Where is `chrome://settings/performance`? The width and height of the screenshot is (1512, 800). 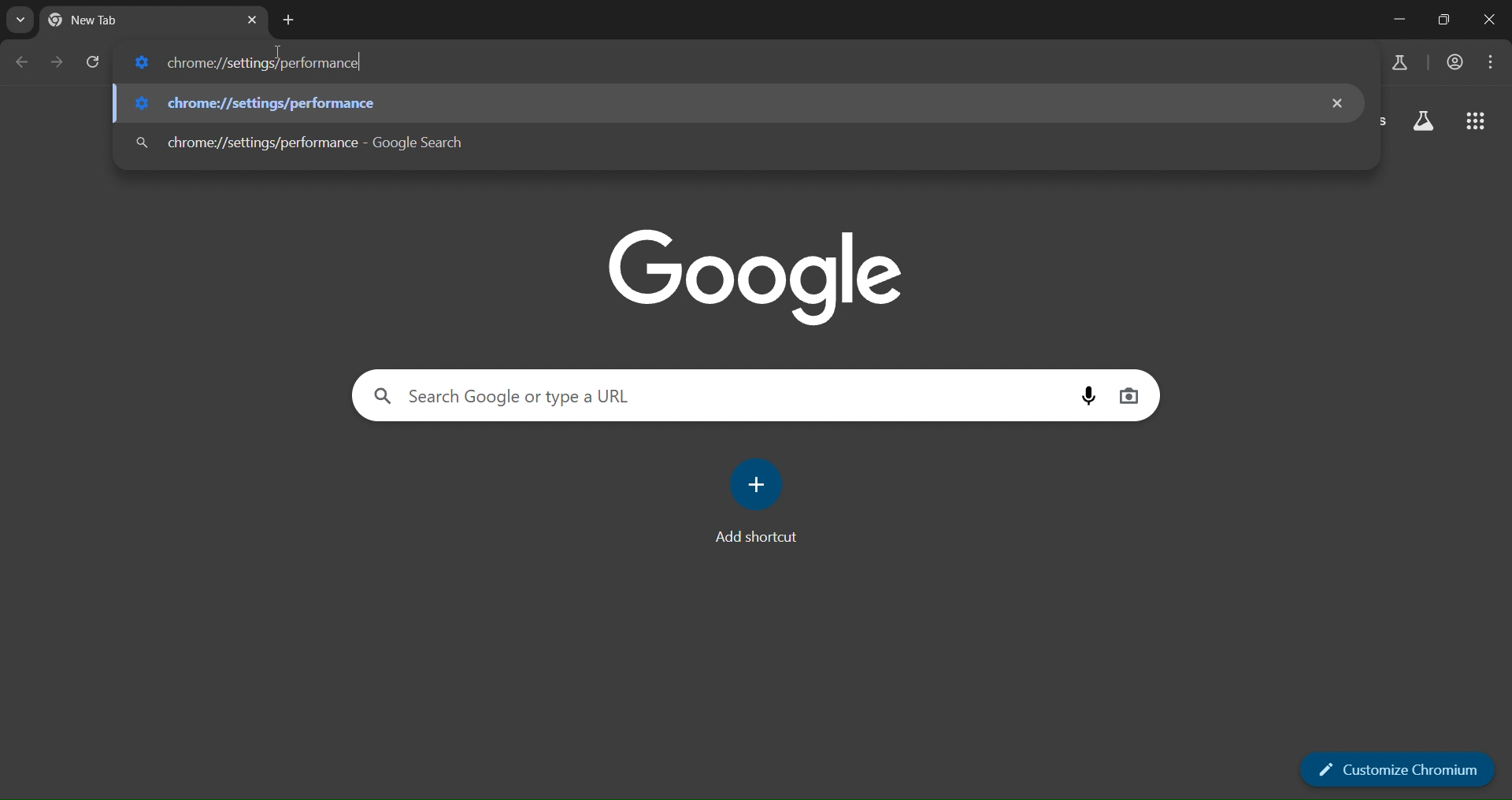
chrome://settings/performance is located at coordinates (249, 63).